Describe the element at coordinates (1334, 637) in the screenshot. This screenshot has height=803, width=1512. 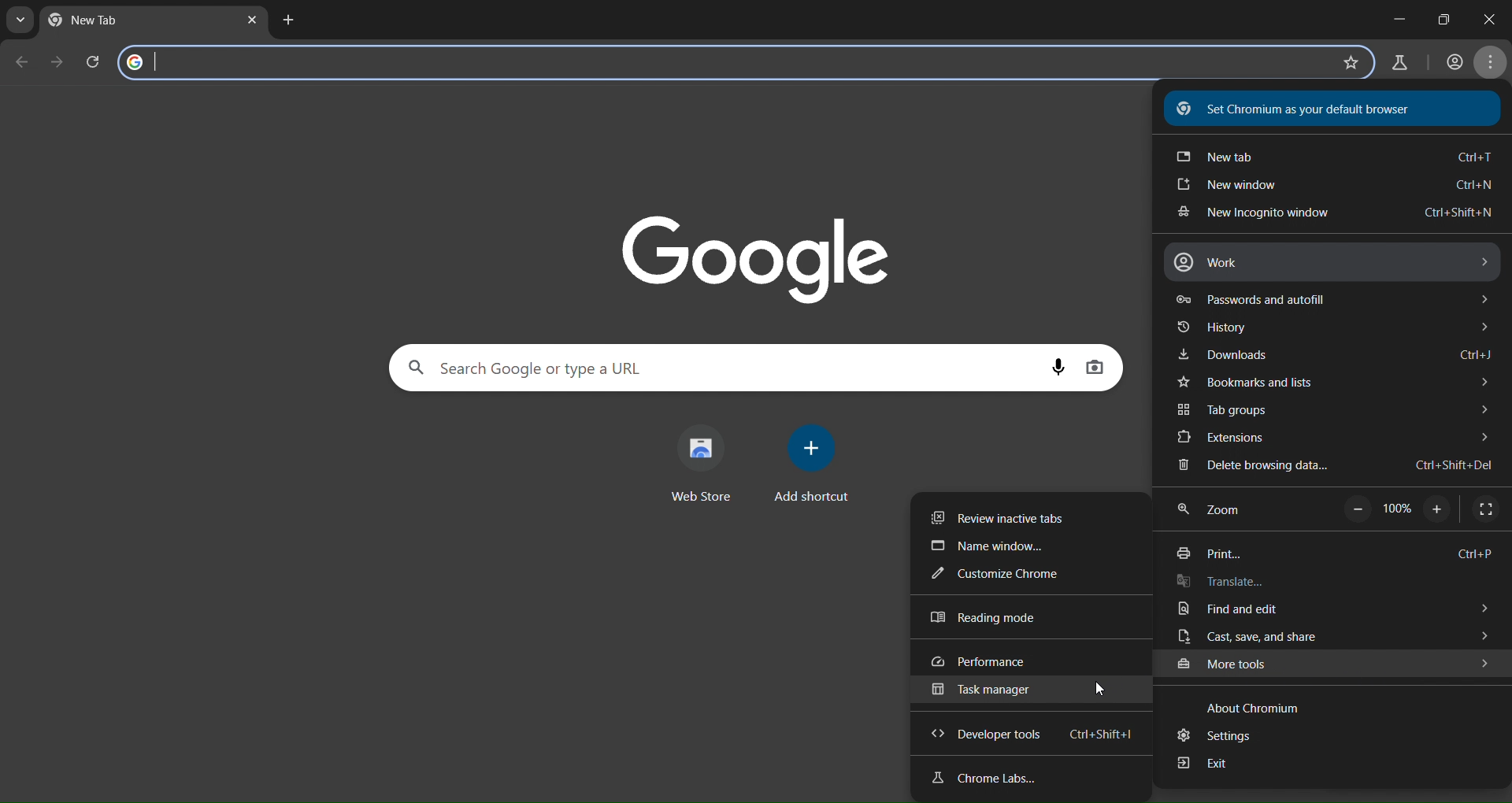
I see `cast, save and share` at that location.